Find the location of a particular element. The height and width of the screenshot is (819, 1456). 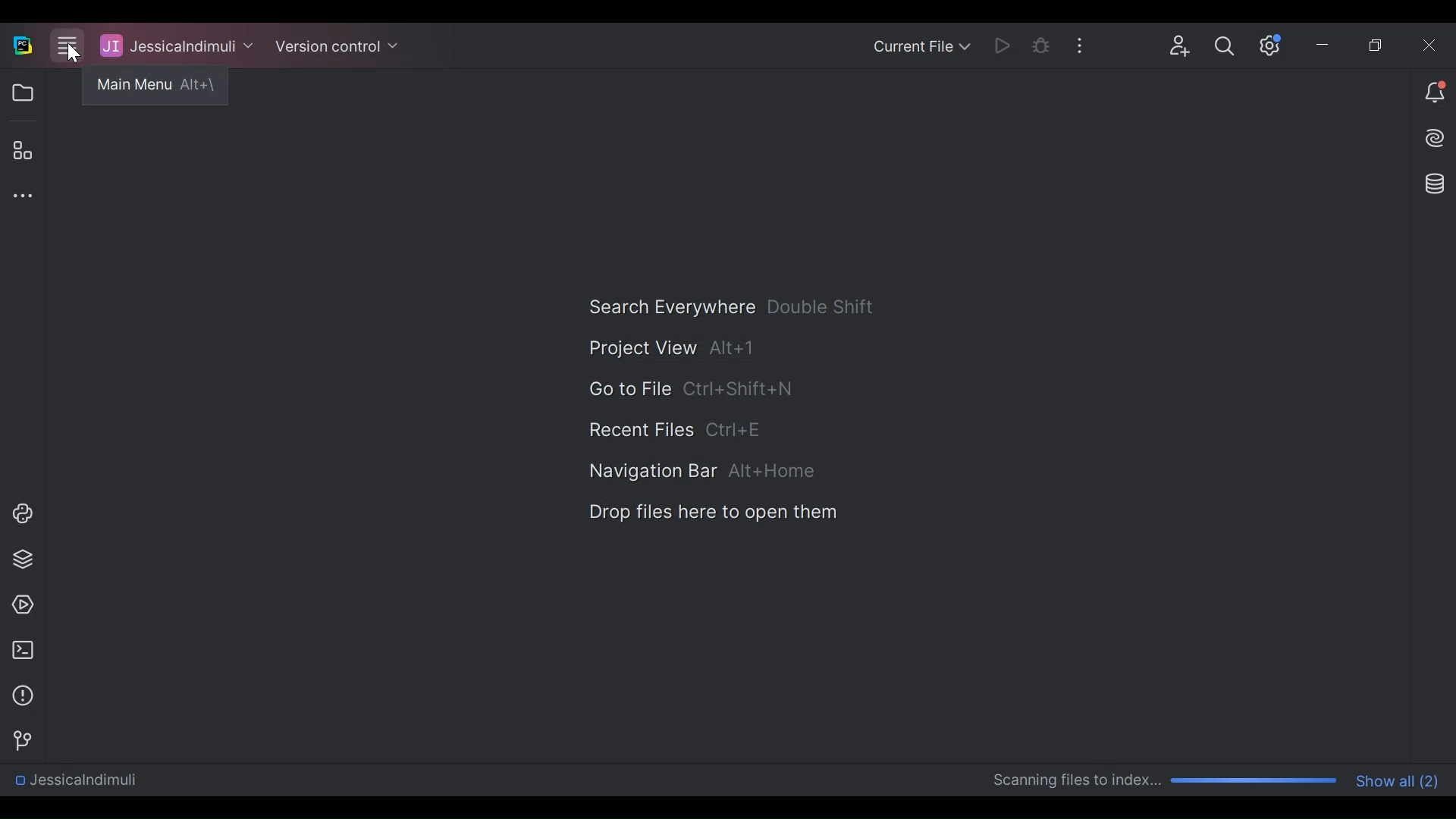

Services is located at coordinates (18, 605).